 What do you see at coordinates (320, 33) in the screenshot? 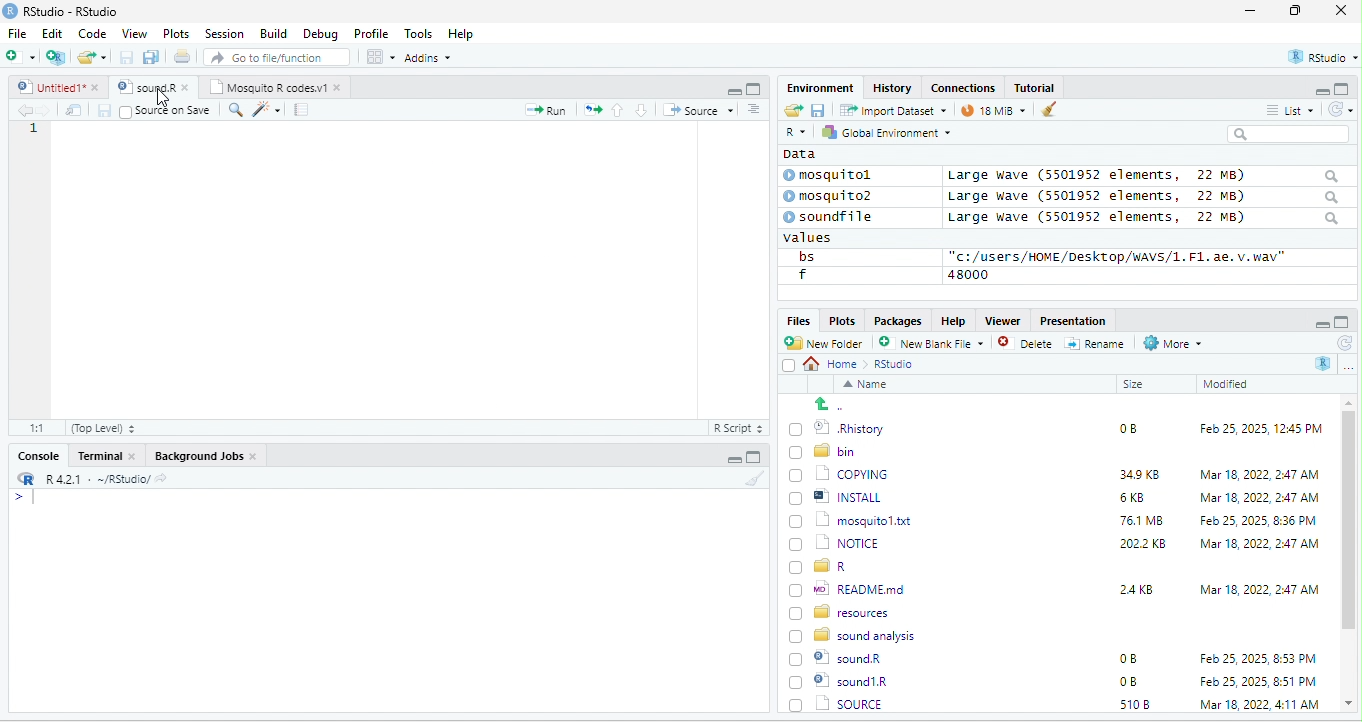
I see `Debug` at bounding box center [320, 33].